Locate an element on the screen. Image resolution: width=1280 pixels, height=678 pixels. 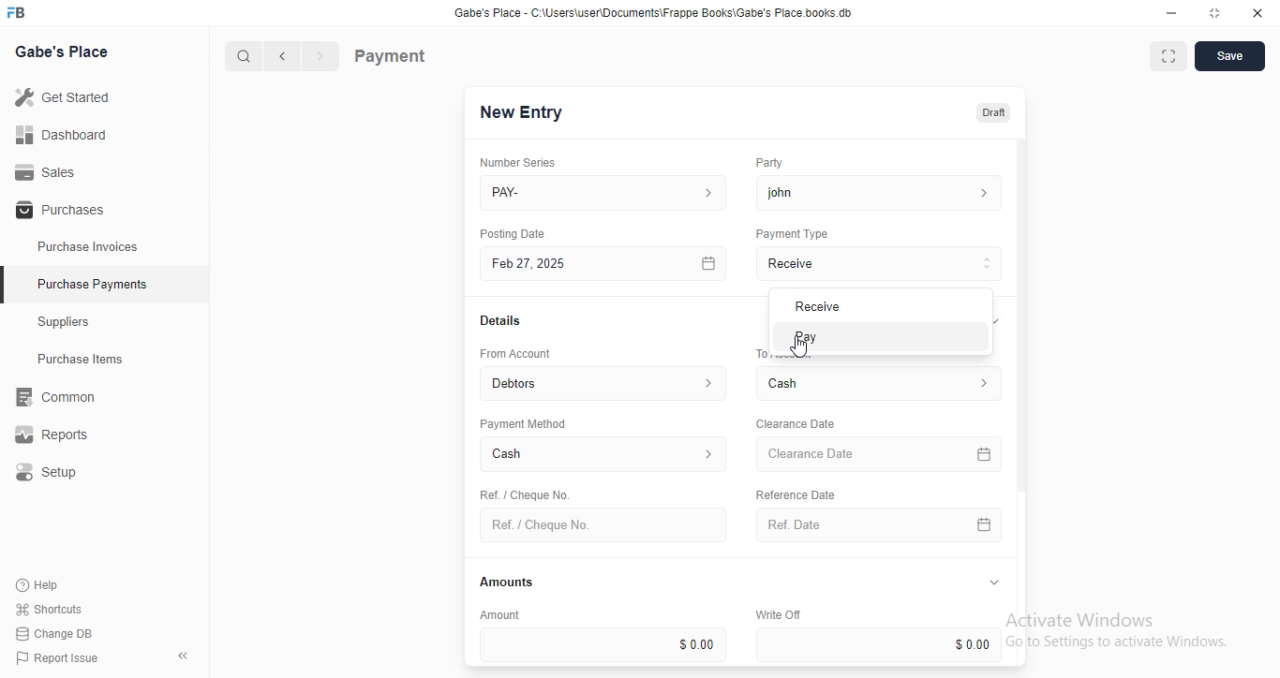
Purchase Invoices is located at coordinates (88, 247).